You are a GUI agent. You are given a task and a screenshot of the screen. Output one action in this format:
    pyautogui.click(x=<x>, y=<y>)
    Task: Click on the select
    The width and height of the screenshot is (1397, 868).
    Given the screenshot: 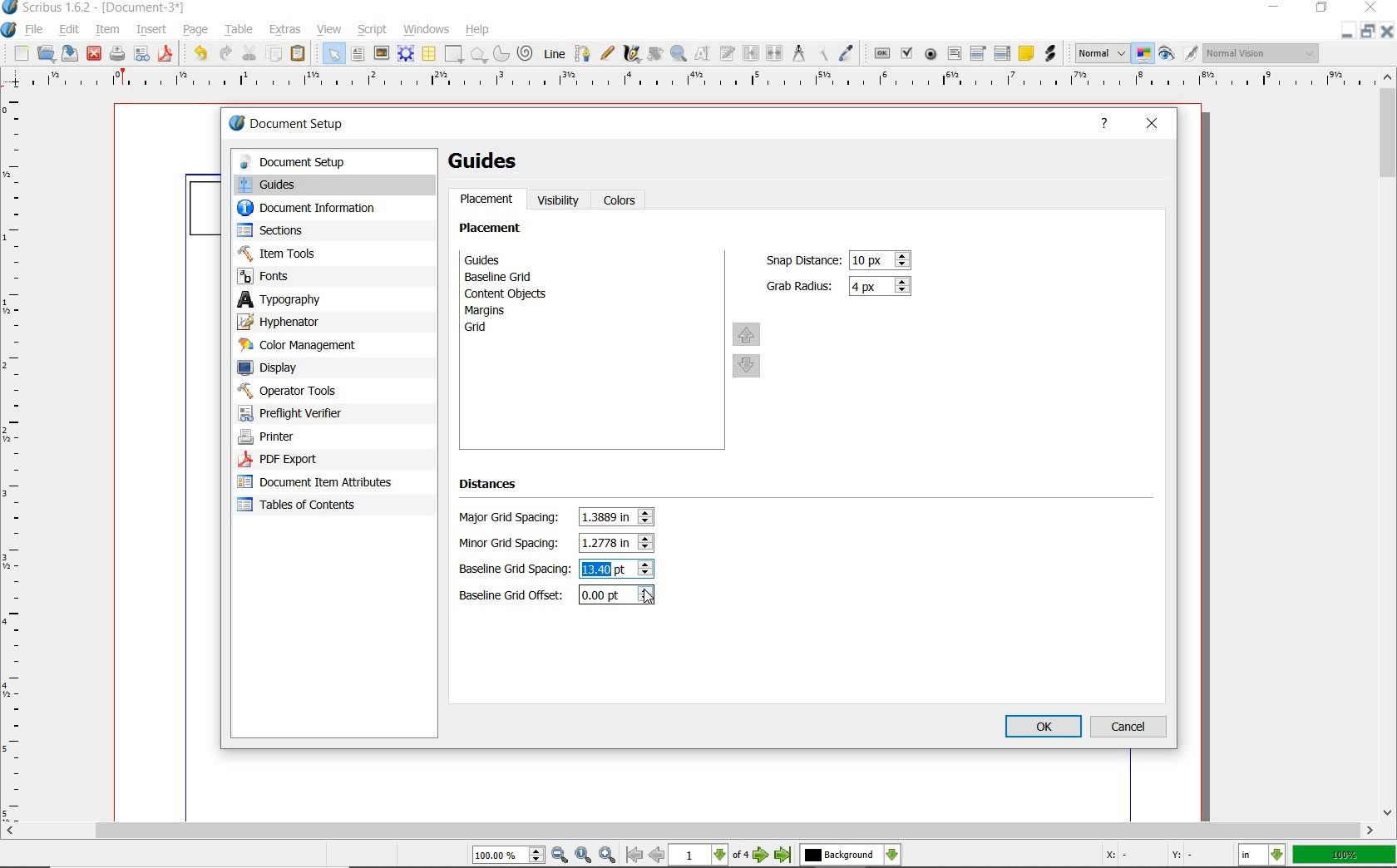 What is the action you would take?
    pyautogui.click(x=335, y=57)
    